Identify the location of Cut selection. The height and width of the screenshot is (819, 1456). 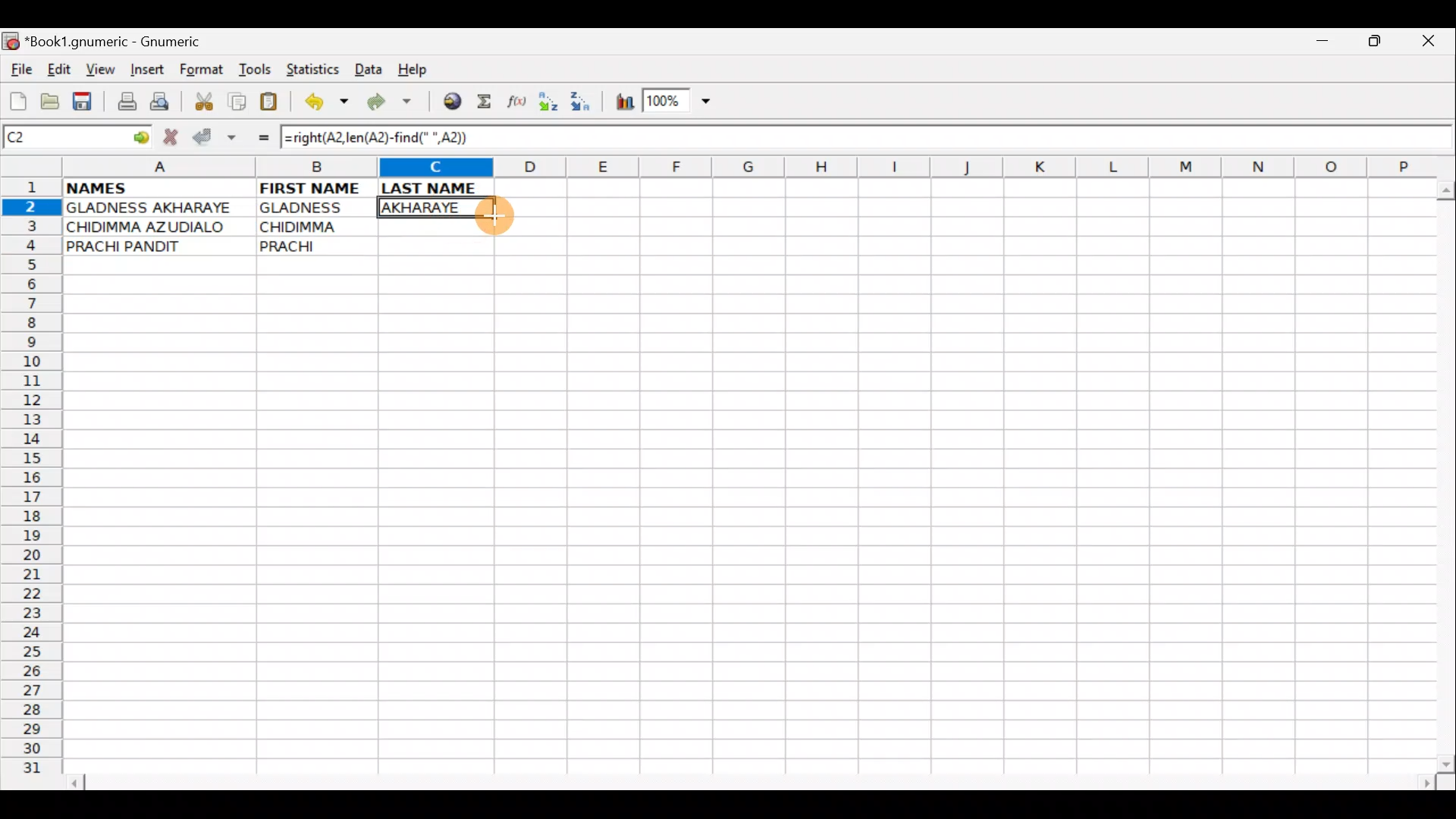
(203, 99).